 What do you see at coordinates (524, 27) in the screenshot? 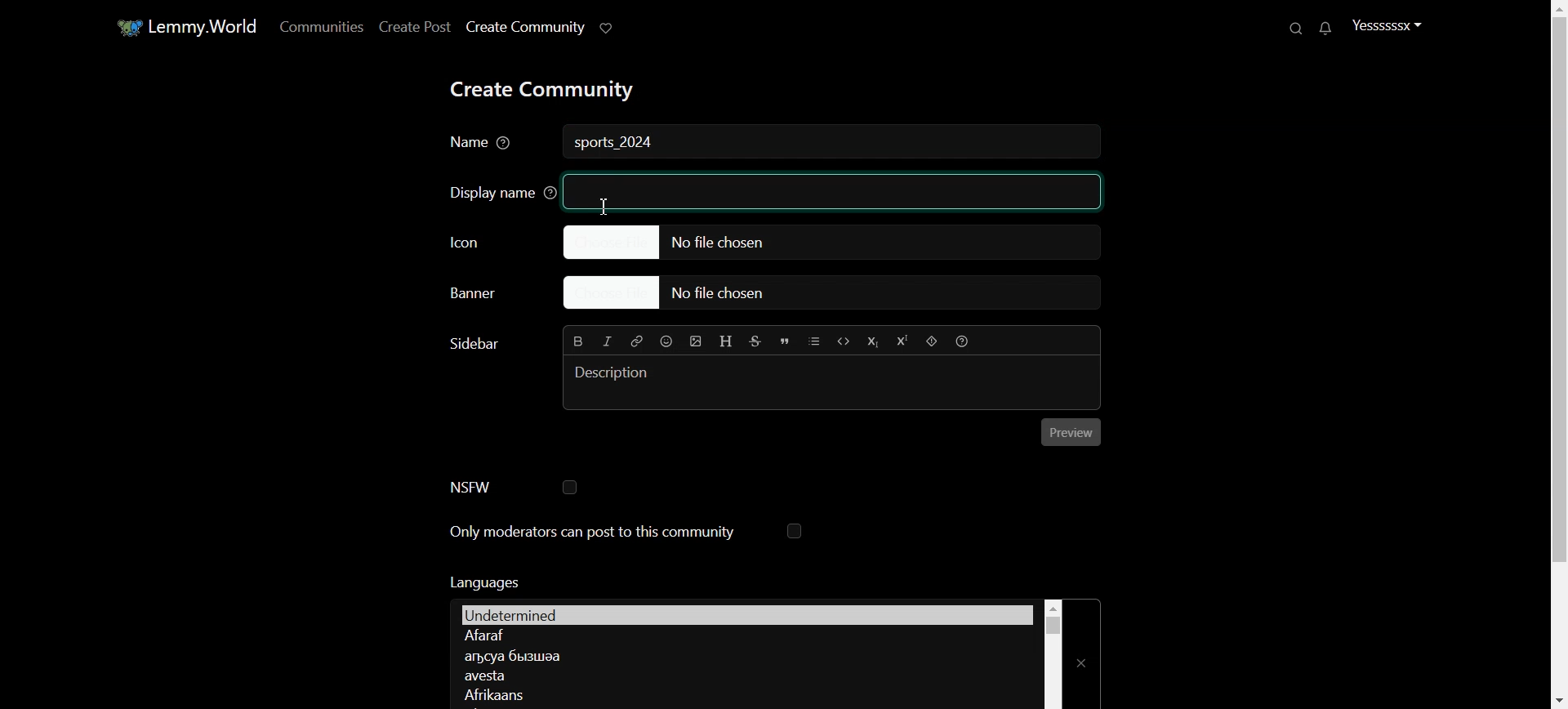
I see `Create Community` at bounding box center [524, 27].